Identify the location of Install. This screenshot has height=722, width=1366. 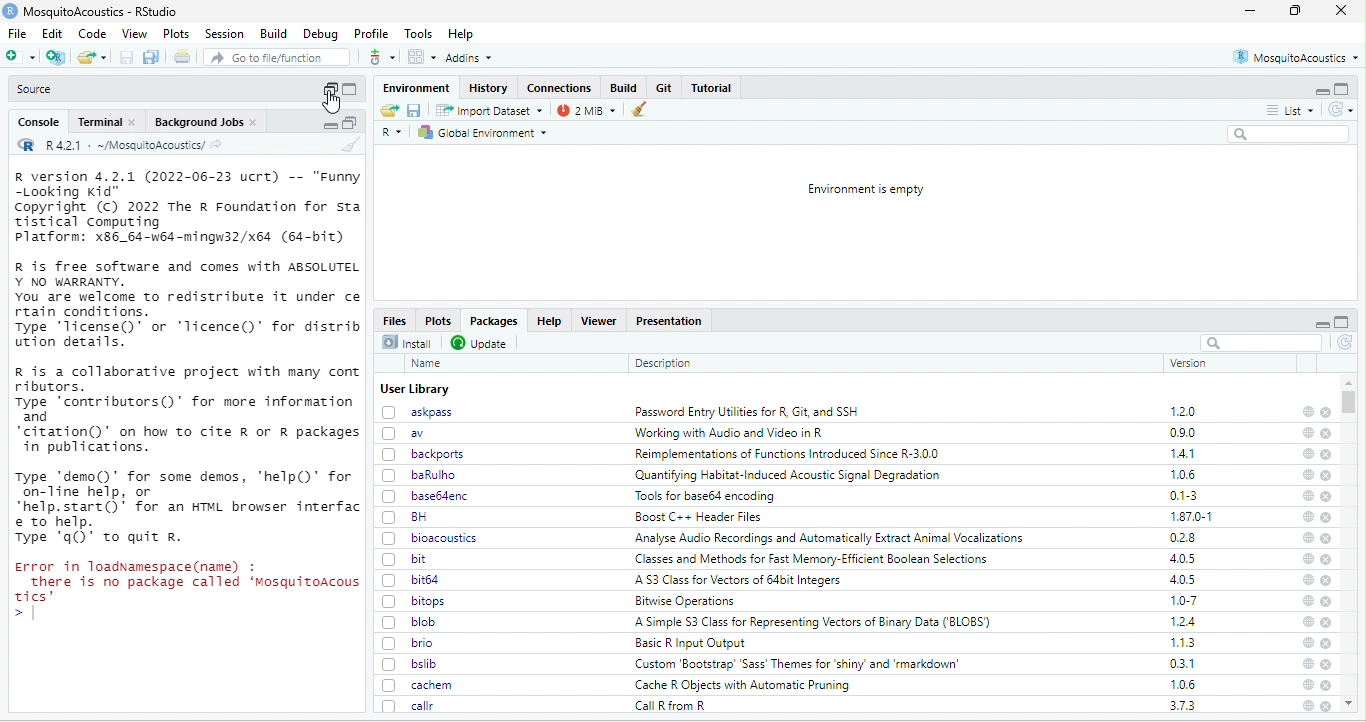
(410, 341).